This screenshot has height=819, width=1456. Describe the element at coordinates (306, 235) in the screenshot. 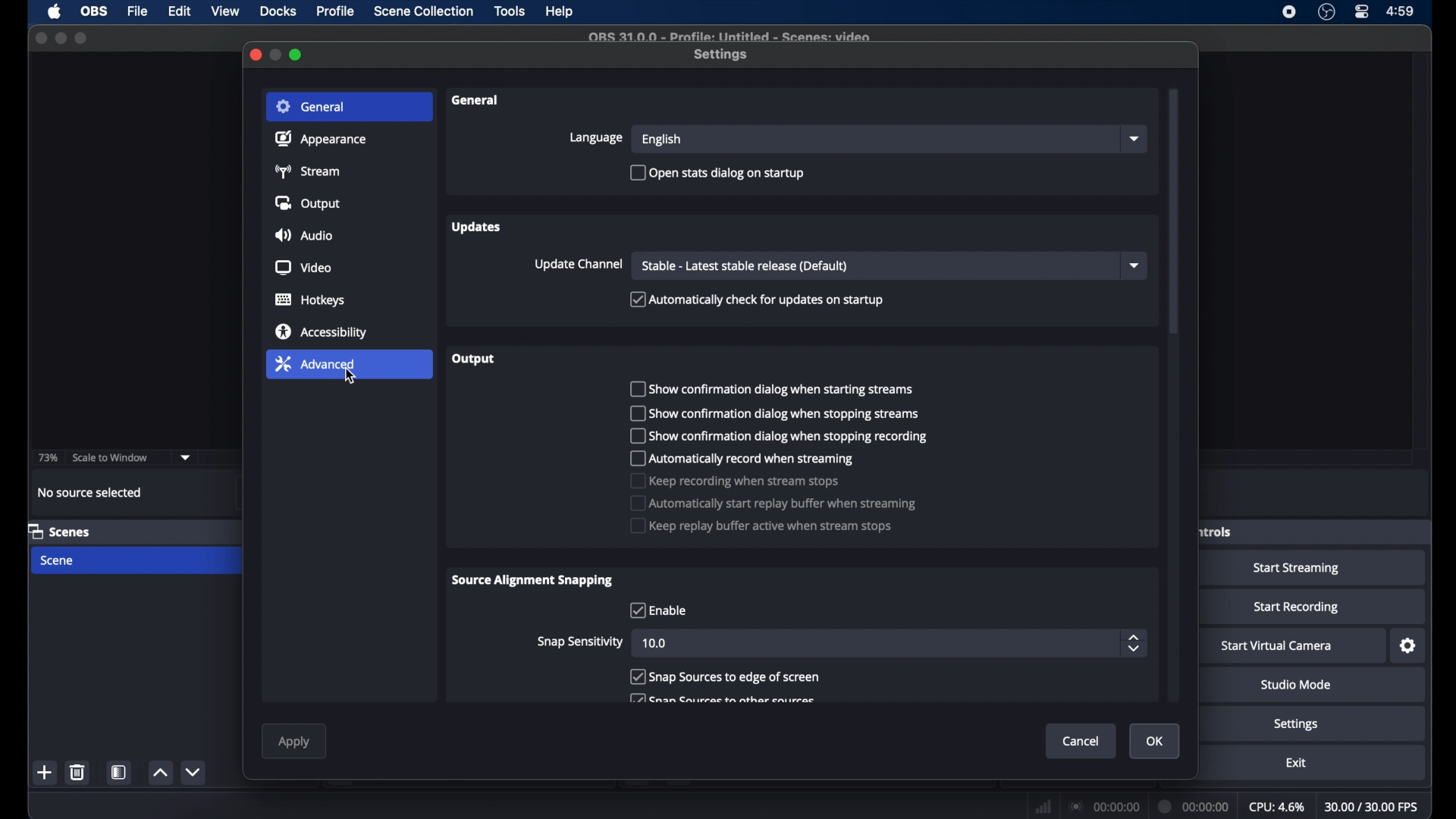

I see `audio` at that location.